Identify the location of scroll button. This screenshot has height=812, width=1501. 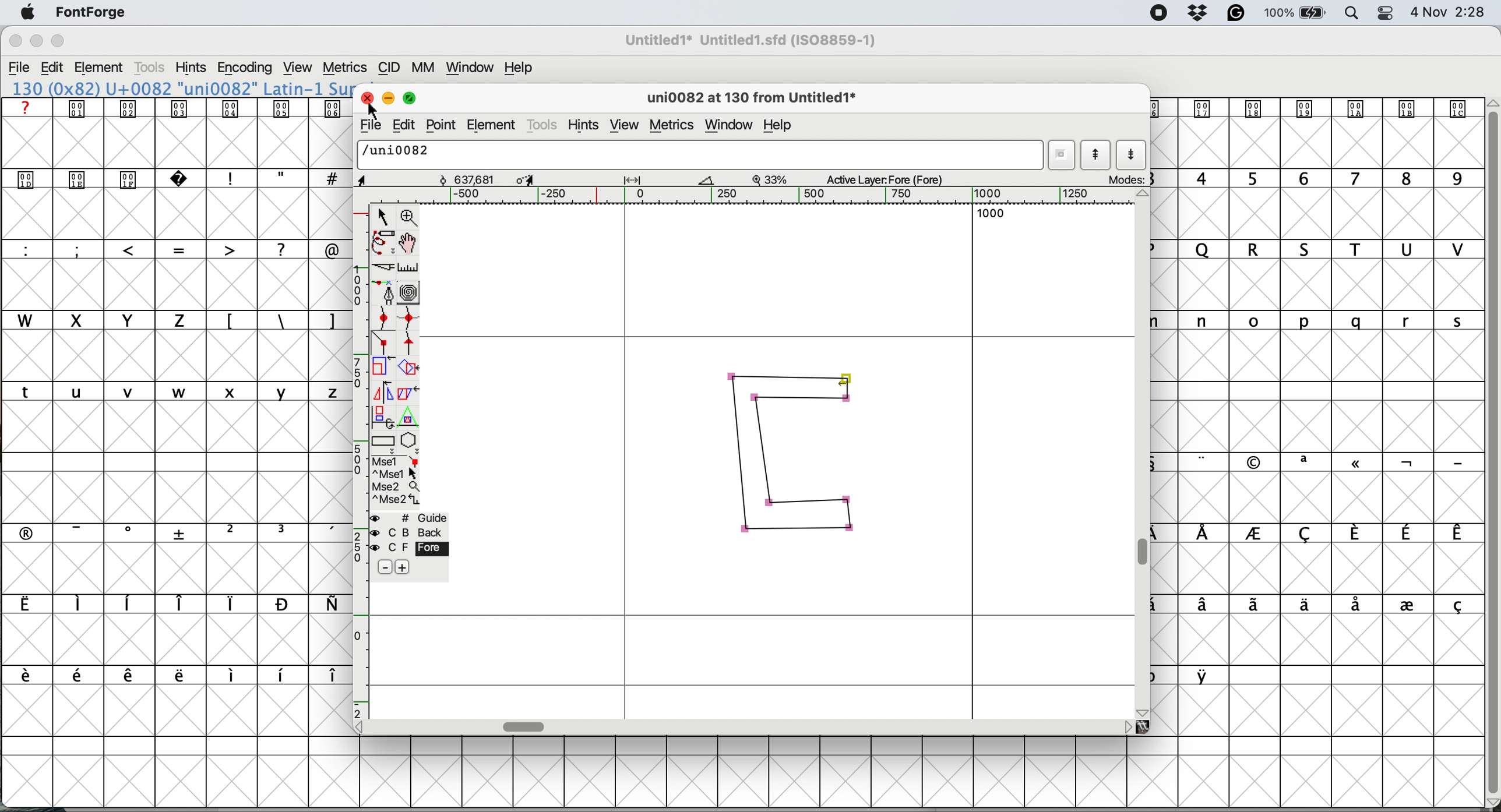
(1144, 711).